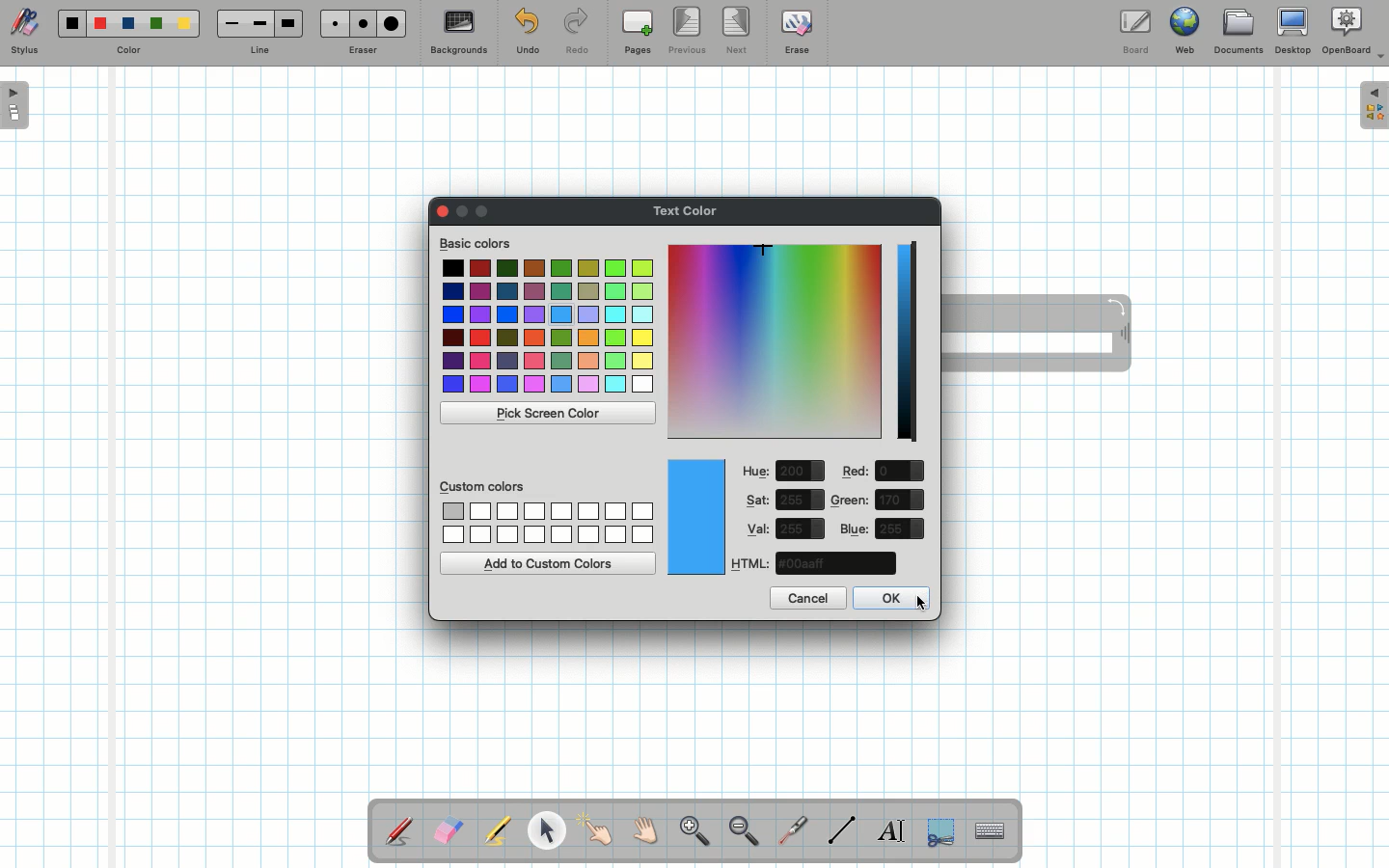 The width and height of the screenshot is (1389, 868). Describe the element at coordinates (392, 23) in the screenshot. I see `Large eraser` at that location.